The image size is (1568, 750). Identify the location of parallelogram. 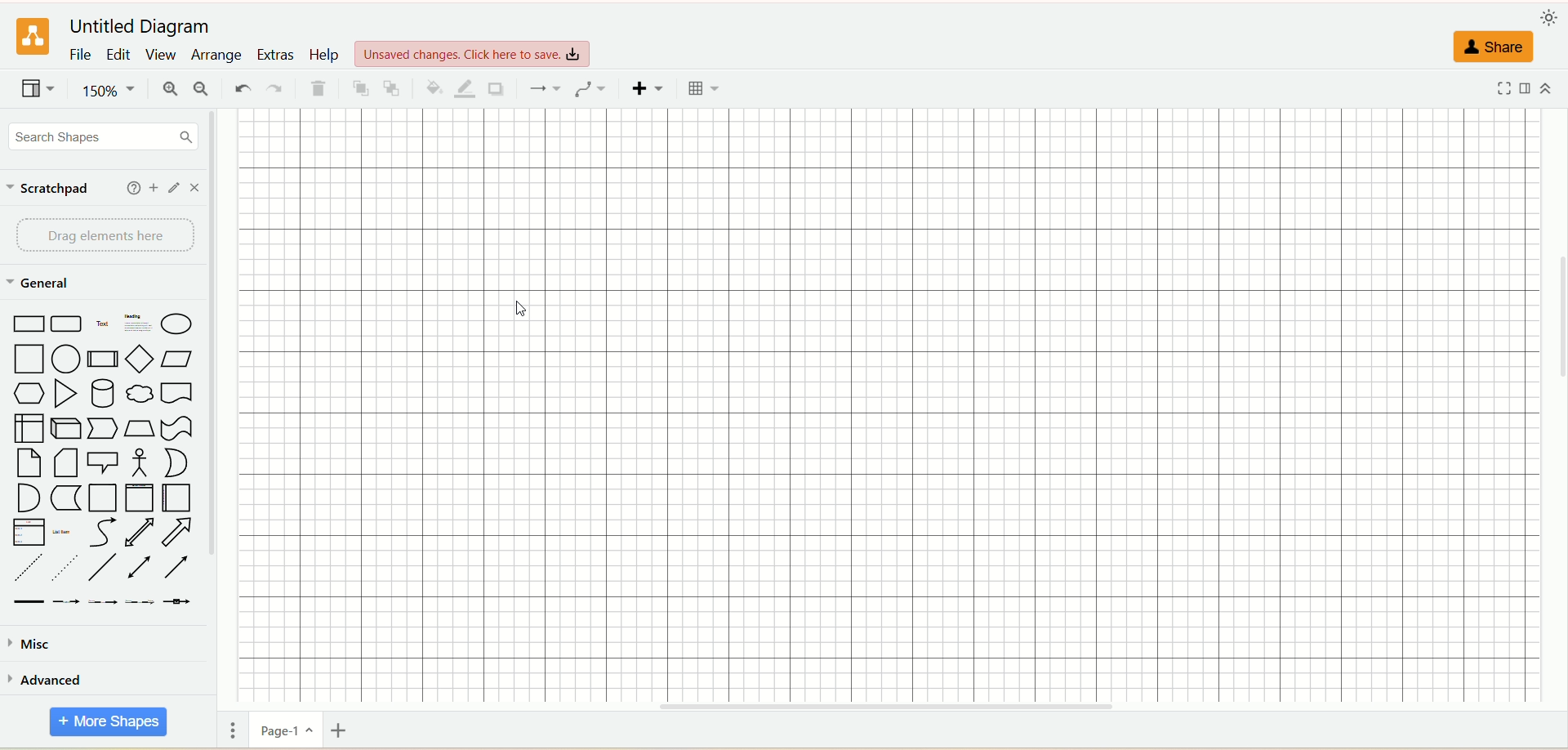
(175, 359).